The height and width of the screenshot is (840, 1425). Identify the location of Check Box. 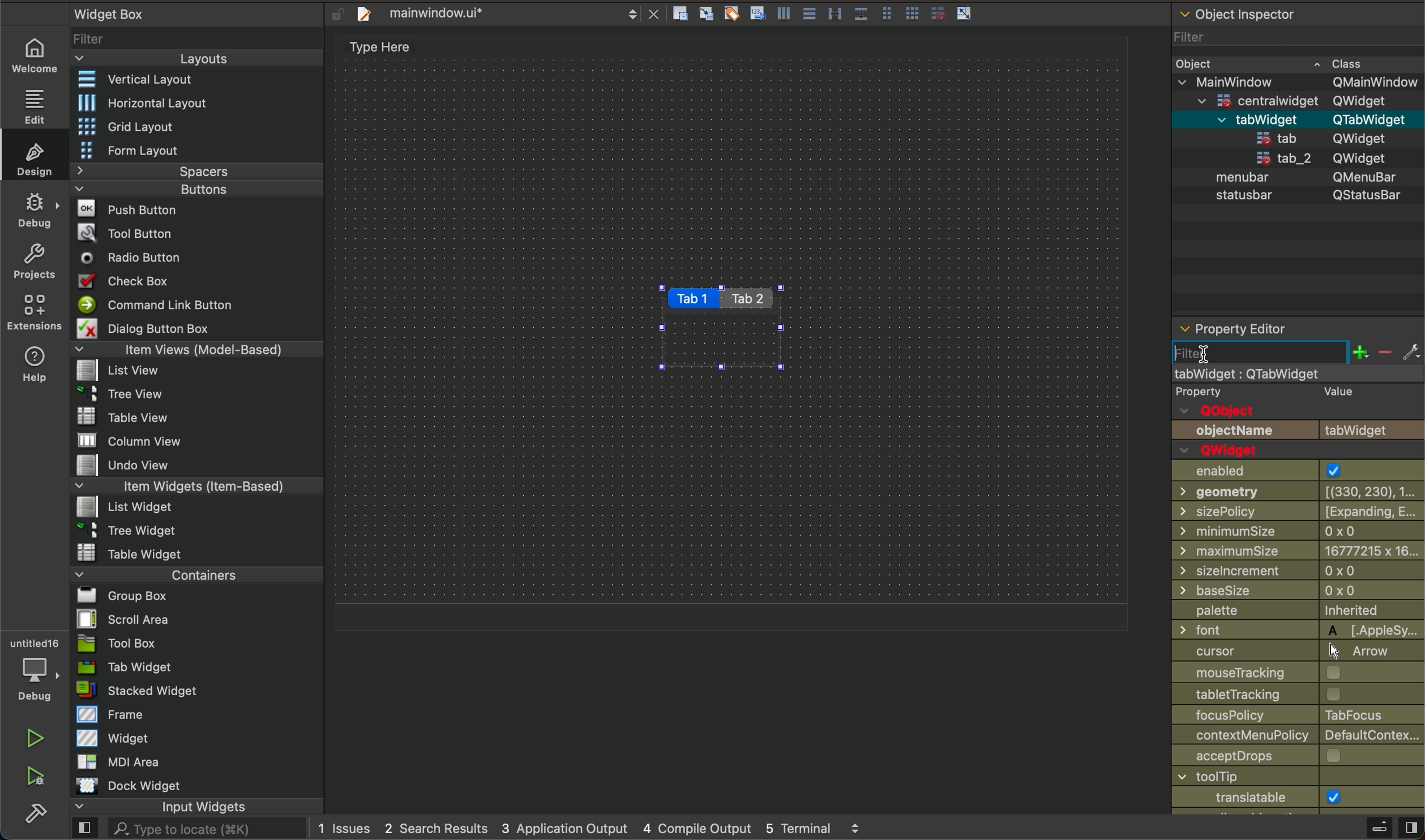
(125, 279).